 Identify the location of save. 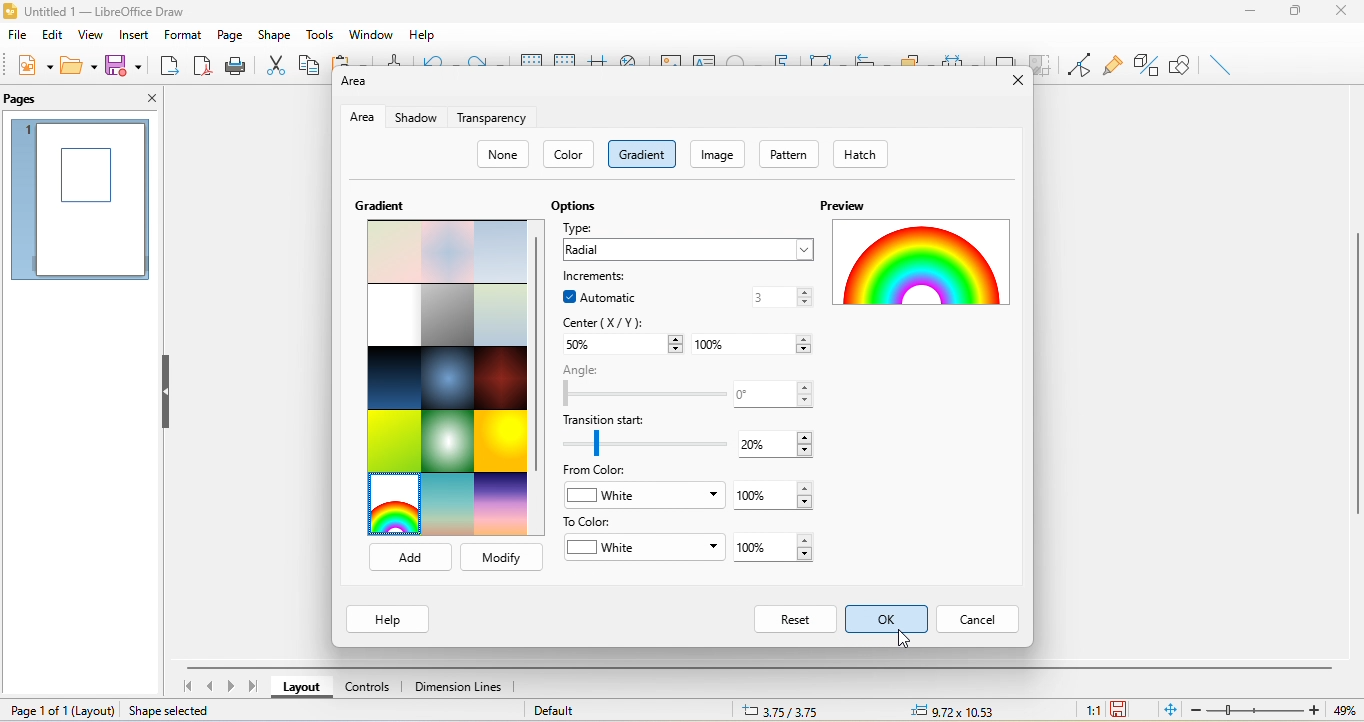
(123, 64).